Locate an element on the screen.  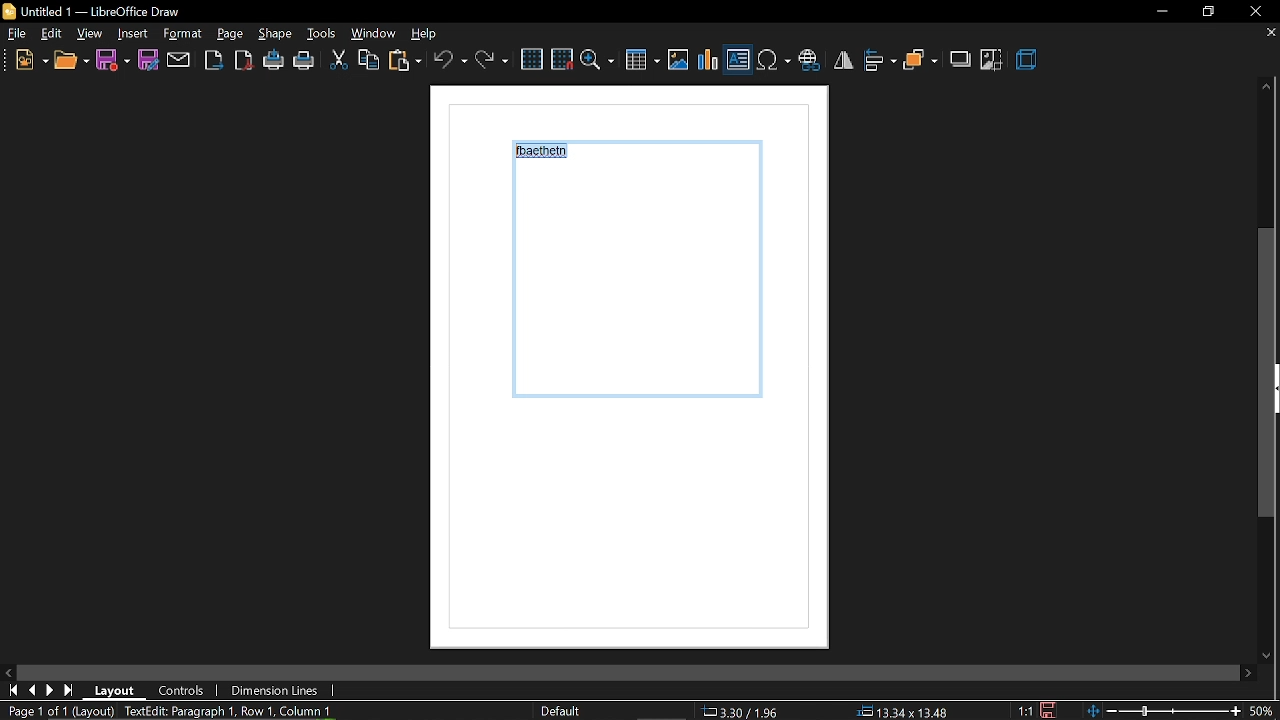
shape is located at coordinates (132, 34).